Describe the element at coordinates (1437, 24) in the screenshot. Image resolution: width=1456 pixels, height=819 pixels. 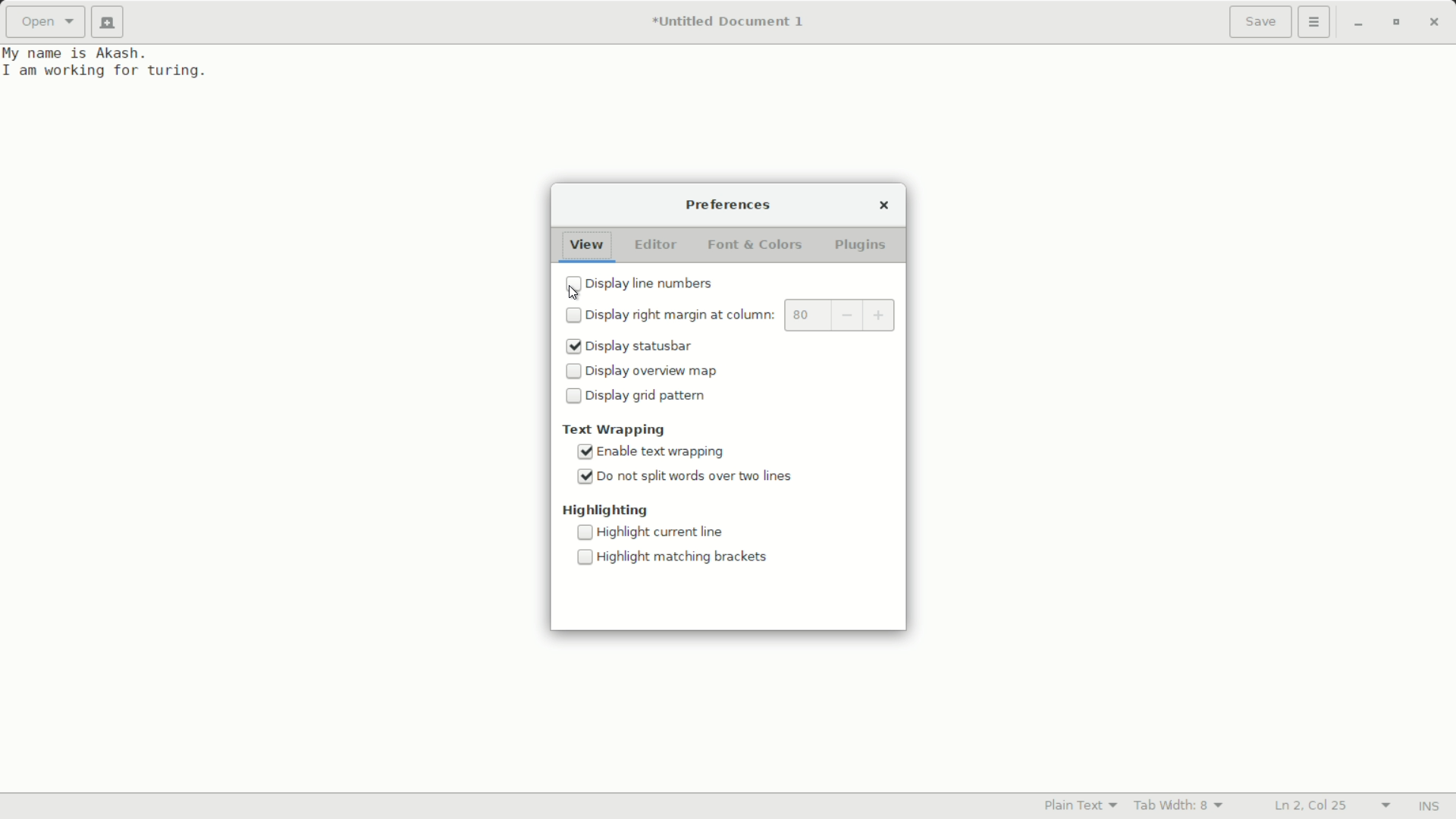
I see `close app` at that location.